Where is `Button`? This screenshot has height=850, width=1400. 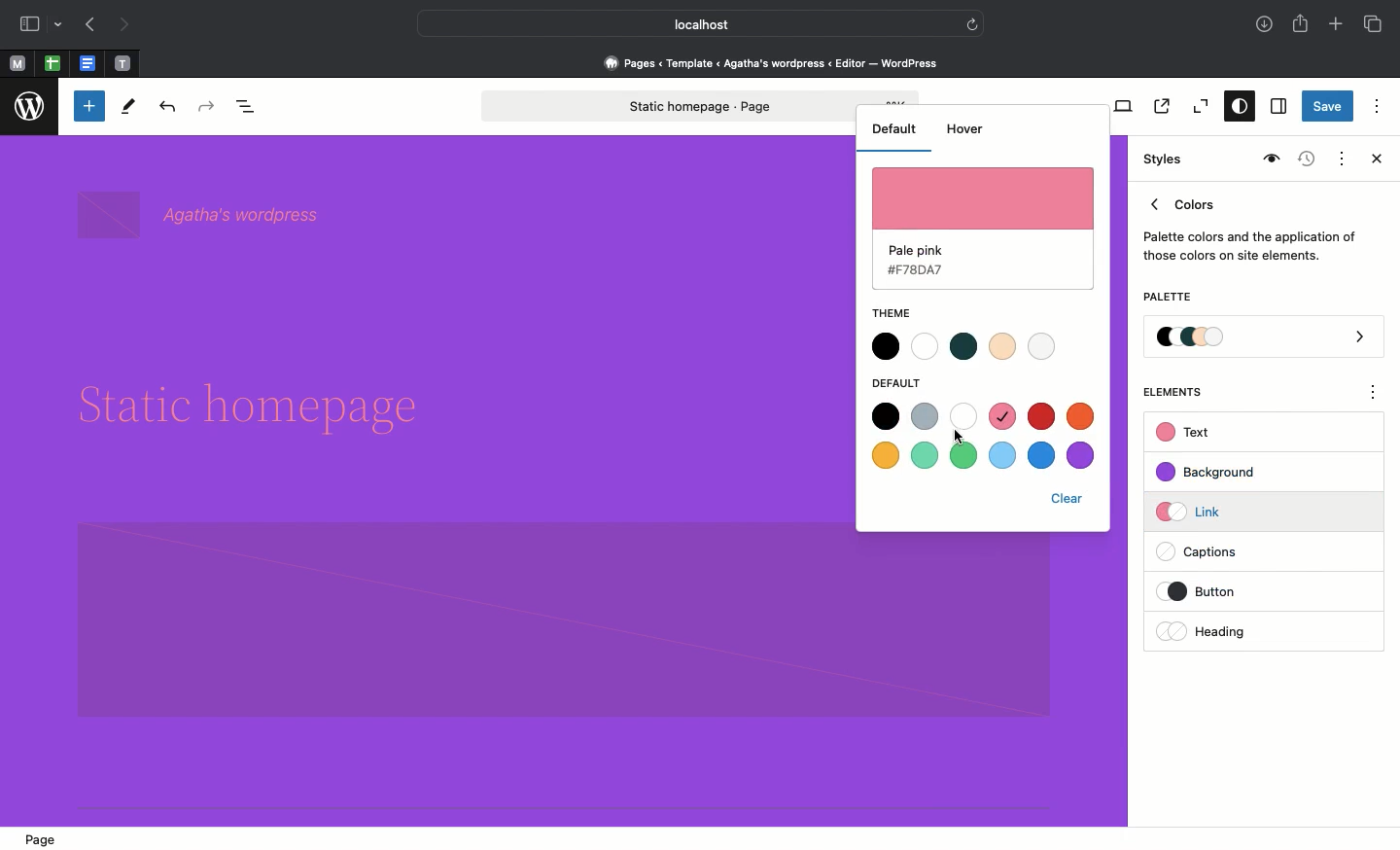
Button is located at coordinates (1214, 591).